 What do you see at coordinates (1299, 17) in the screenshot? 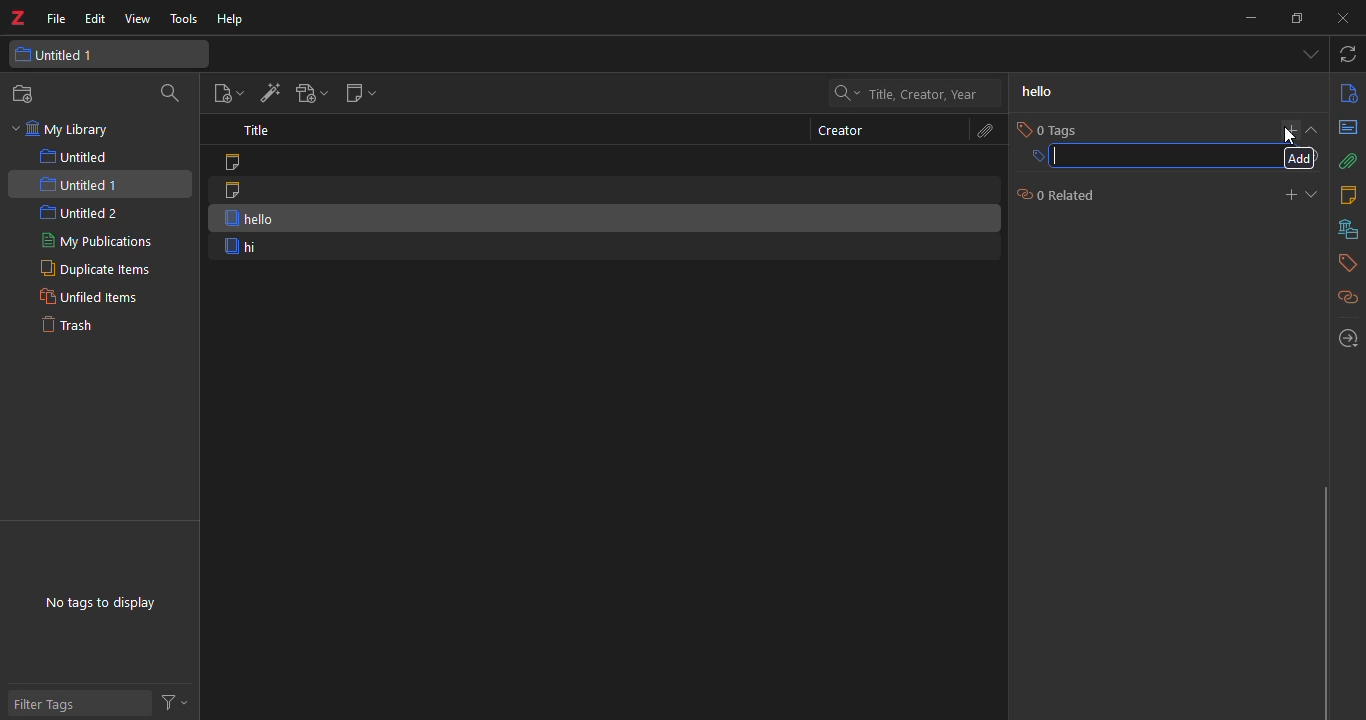
I see `maximize` at bounding box center [1299, 17].